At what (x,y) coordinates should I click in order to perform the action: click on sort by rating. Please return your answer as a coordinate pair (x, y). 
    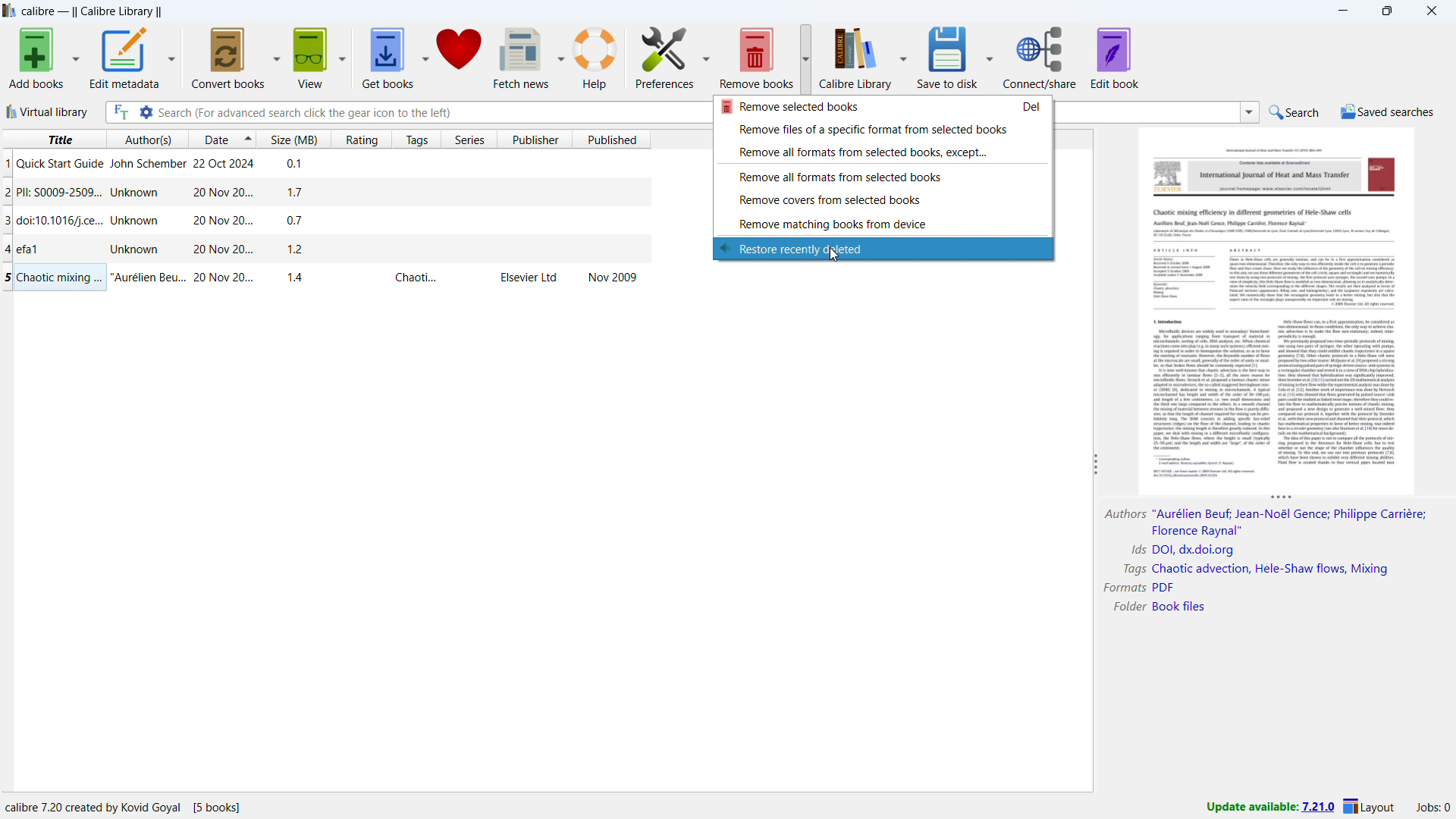
    Looking at the image, I should click on (362, 140).